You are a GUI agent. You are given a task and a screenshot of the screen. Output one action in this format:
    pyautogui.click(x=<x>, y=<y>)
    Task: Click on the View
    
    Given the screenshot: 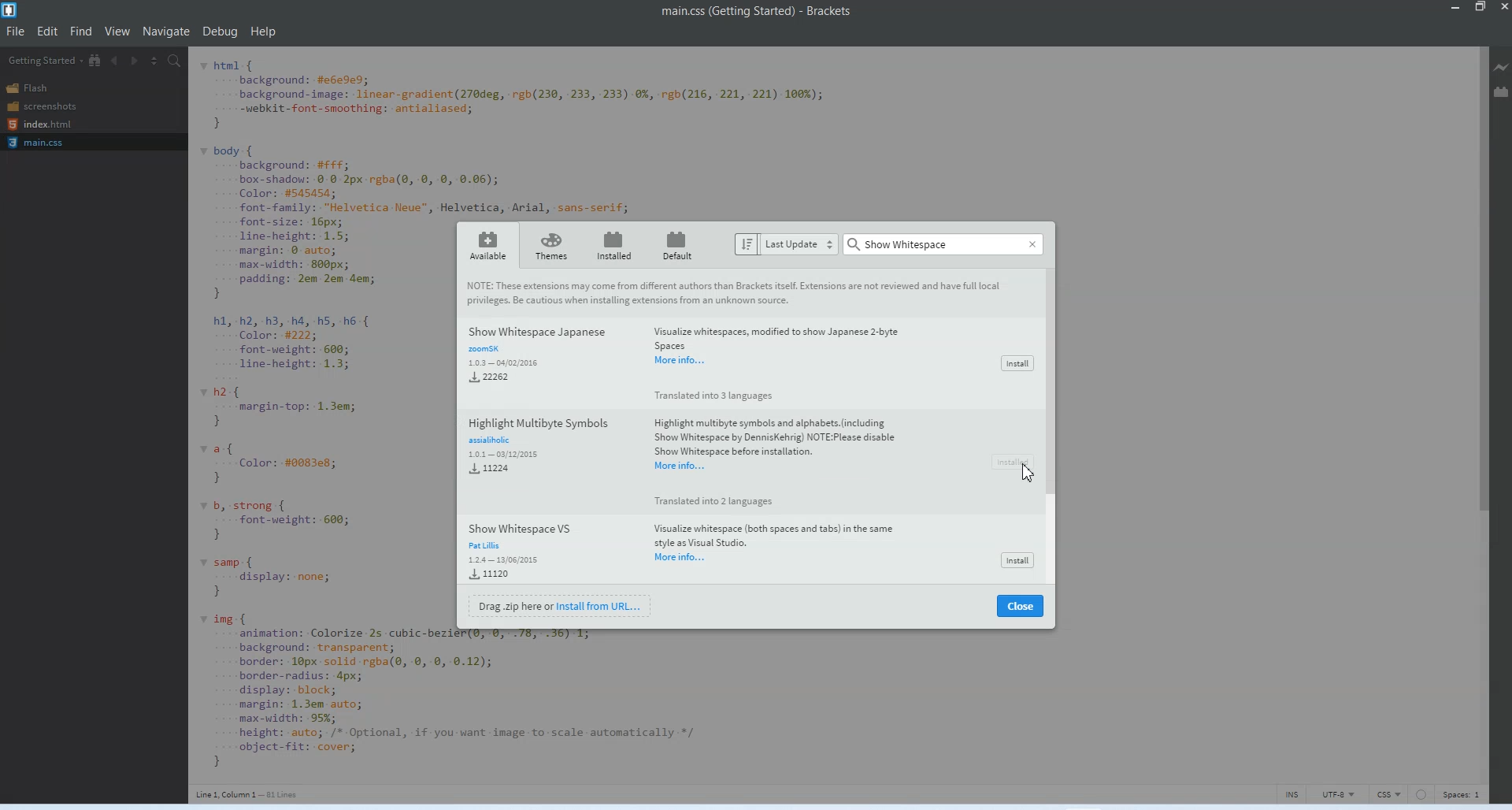 What is the action you would take?
    pyautogui.click(x=119, y=31)
    